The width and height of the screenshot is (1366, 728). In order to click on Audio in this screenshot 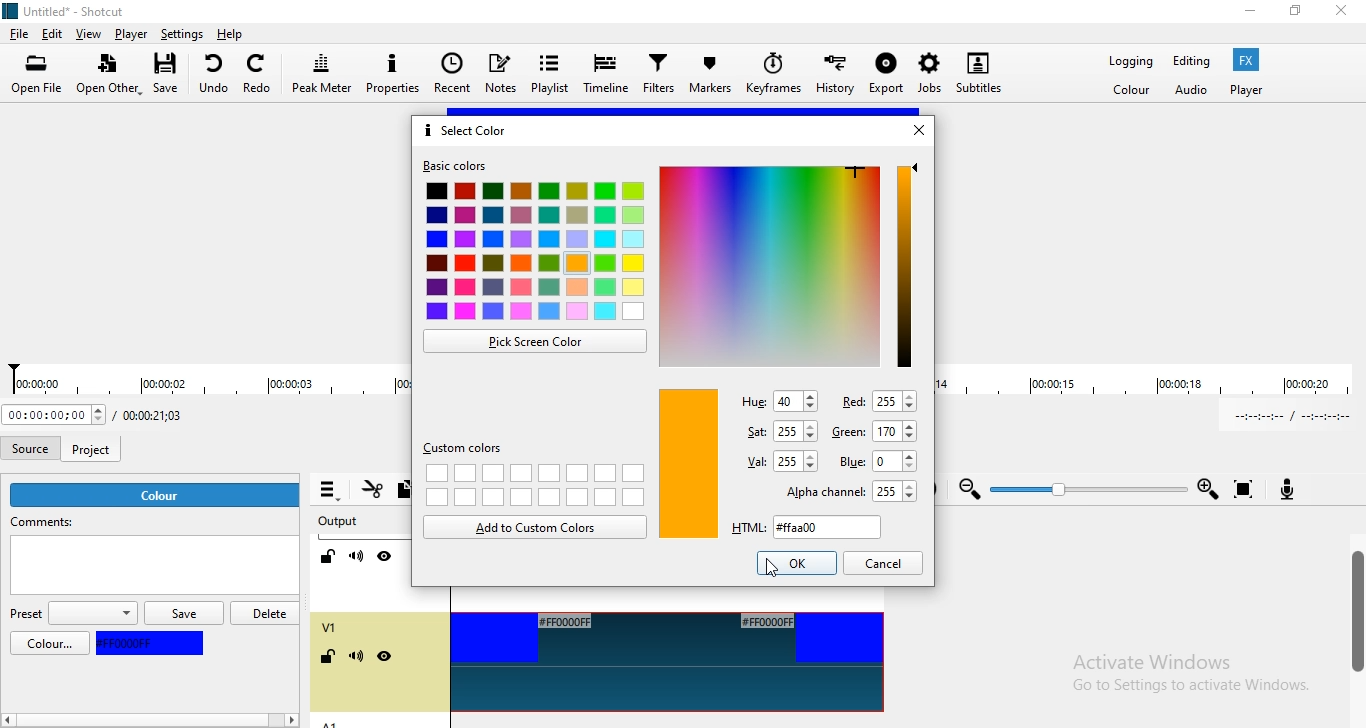, I will do `click(1192, 90)`.